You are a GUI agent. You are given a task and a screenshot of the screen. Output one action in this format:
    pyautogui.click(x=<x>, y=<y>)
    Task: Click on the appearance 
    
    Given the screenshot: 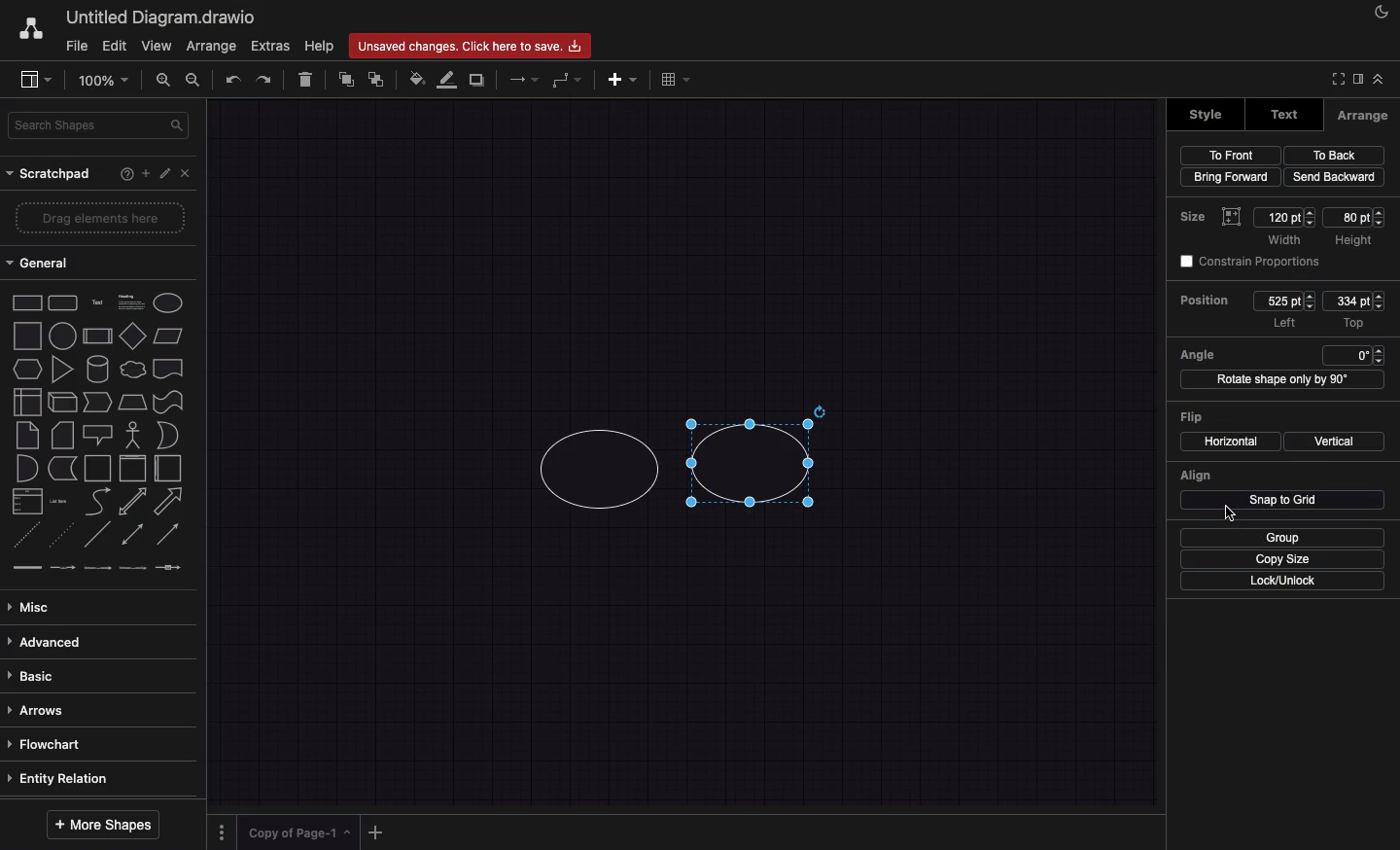 What is the action you would take?
    pyautogui.click(x=1382, y=16)
    